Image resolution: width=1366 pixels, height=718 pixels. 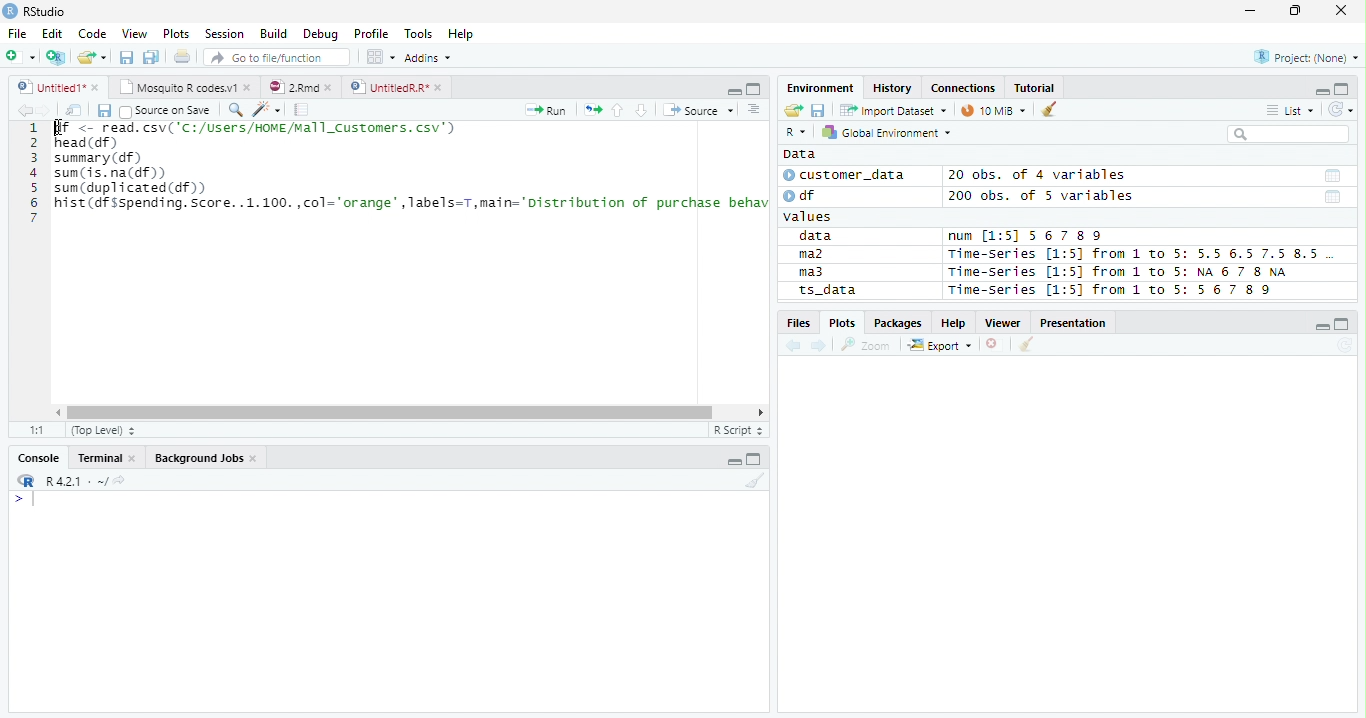 I want to click on Create Project, so click(x=57, y=57).